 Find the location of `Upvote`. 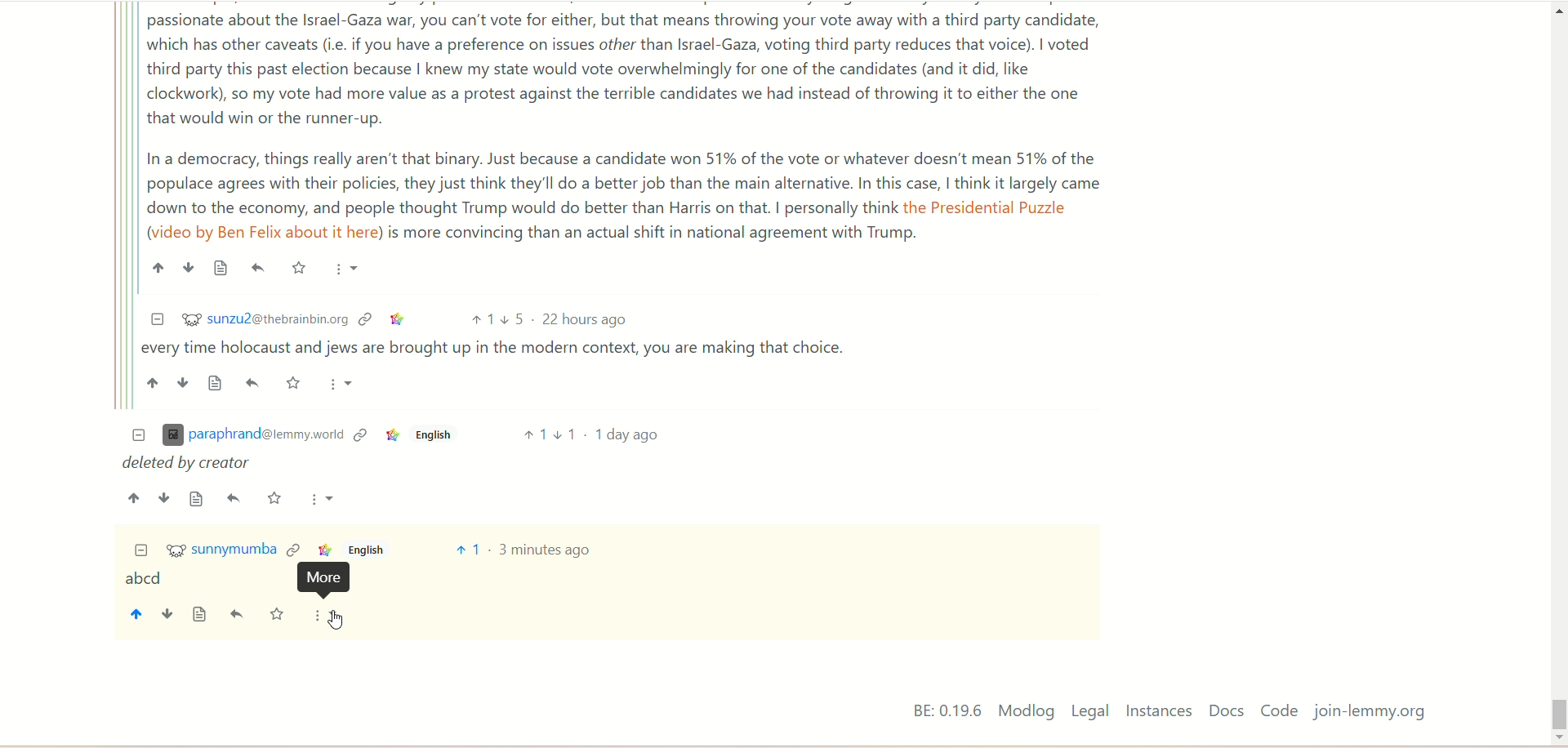

Upvote is located at coordinates (158, 268).